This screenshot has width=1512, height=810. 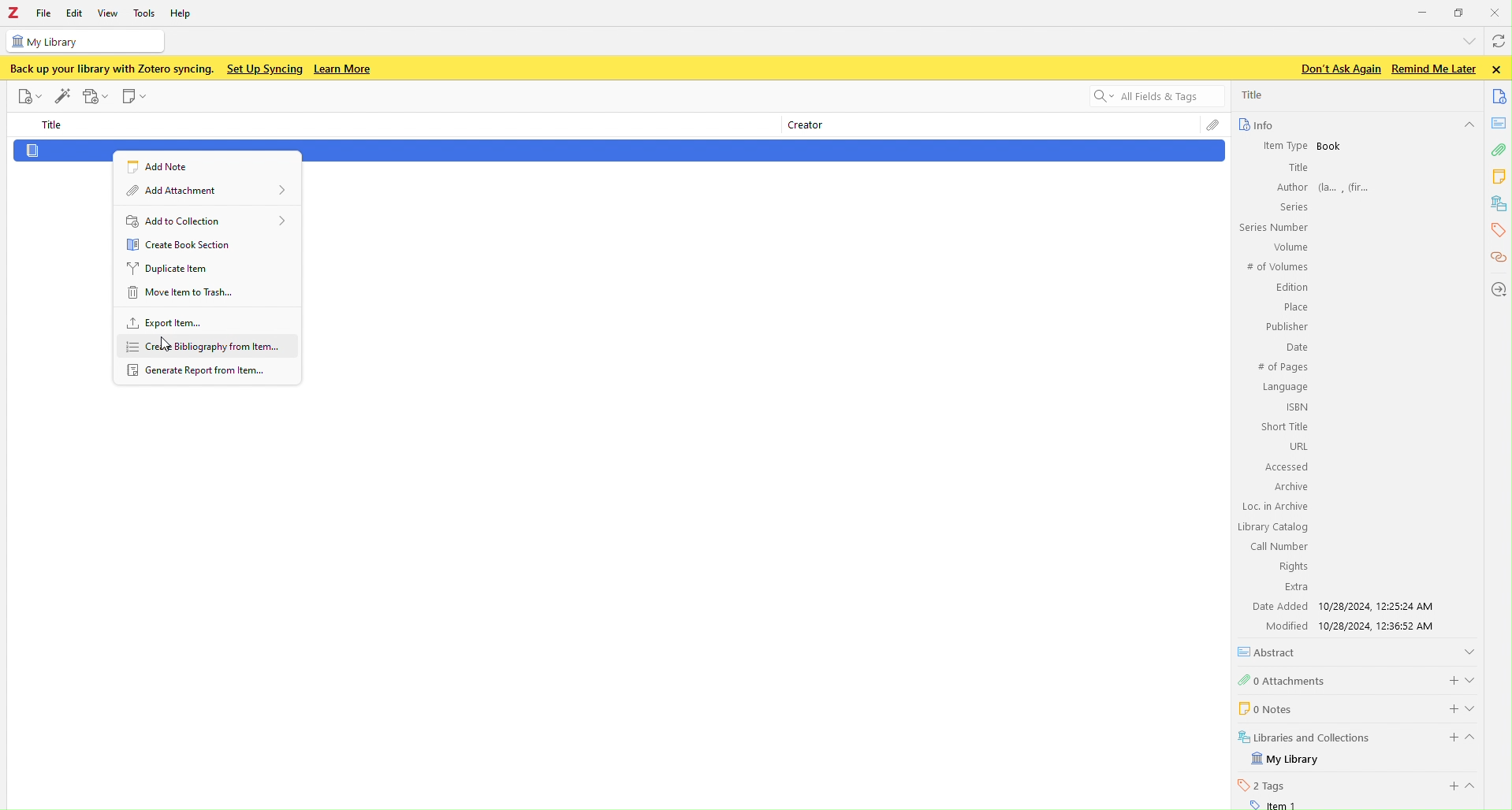 What do you see at coordinates (44, 13) in the screenshot?
I see `FIle` at bounding box center [44, 13].